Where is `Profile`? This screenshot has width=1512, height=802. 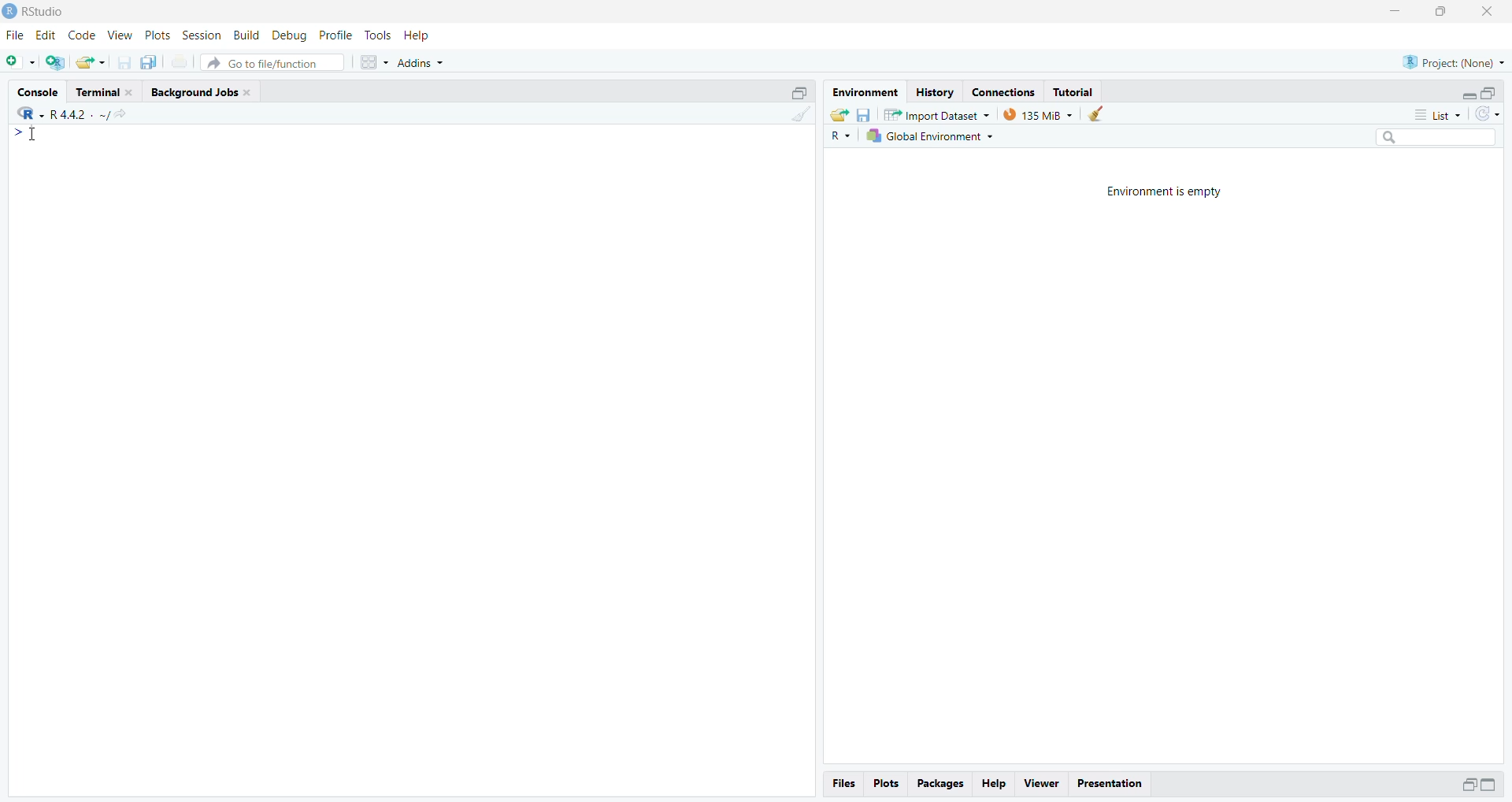 Profile is located at coordinates (336, 35).